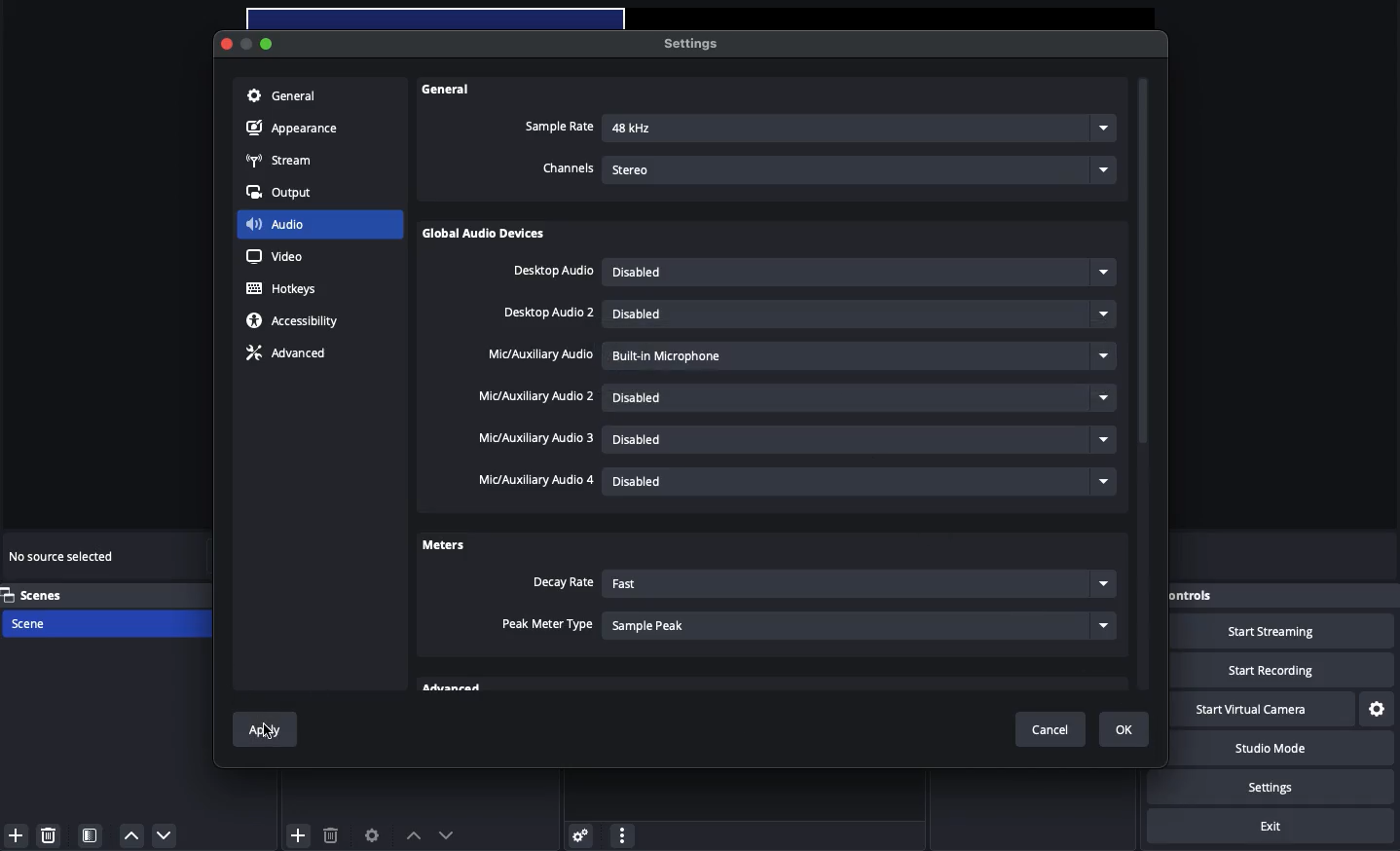 This screenshot has width=1400, height=851. Describe the element at coordinates (330, 834) in the screenshot. I see `Delete` at that location.